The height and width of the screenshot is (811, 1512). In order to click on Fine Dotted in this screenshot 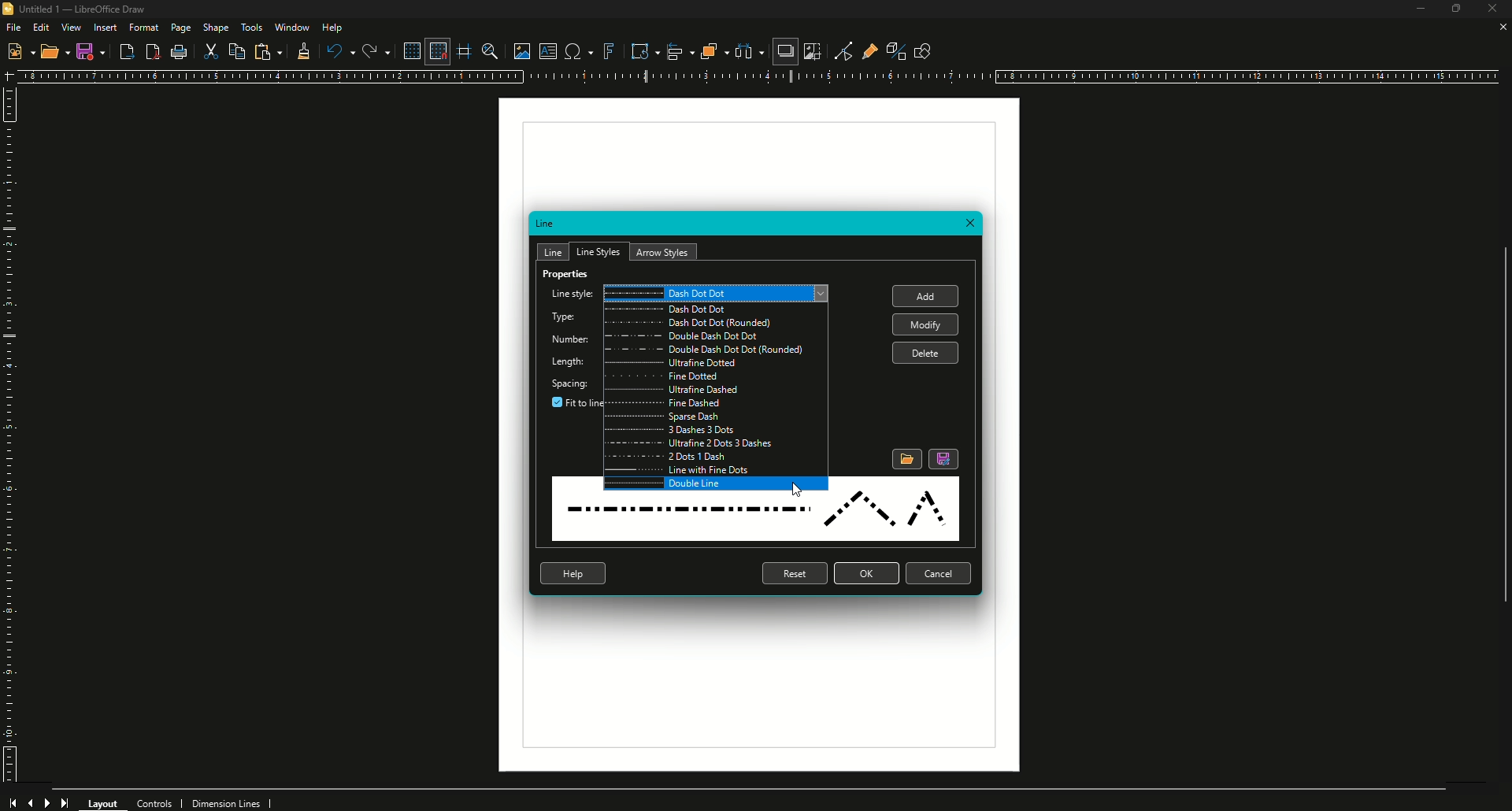, I will do `click(717, 379)`.